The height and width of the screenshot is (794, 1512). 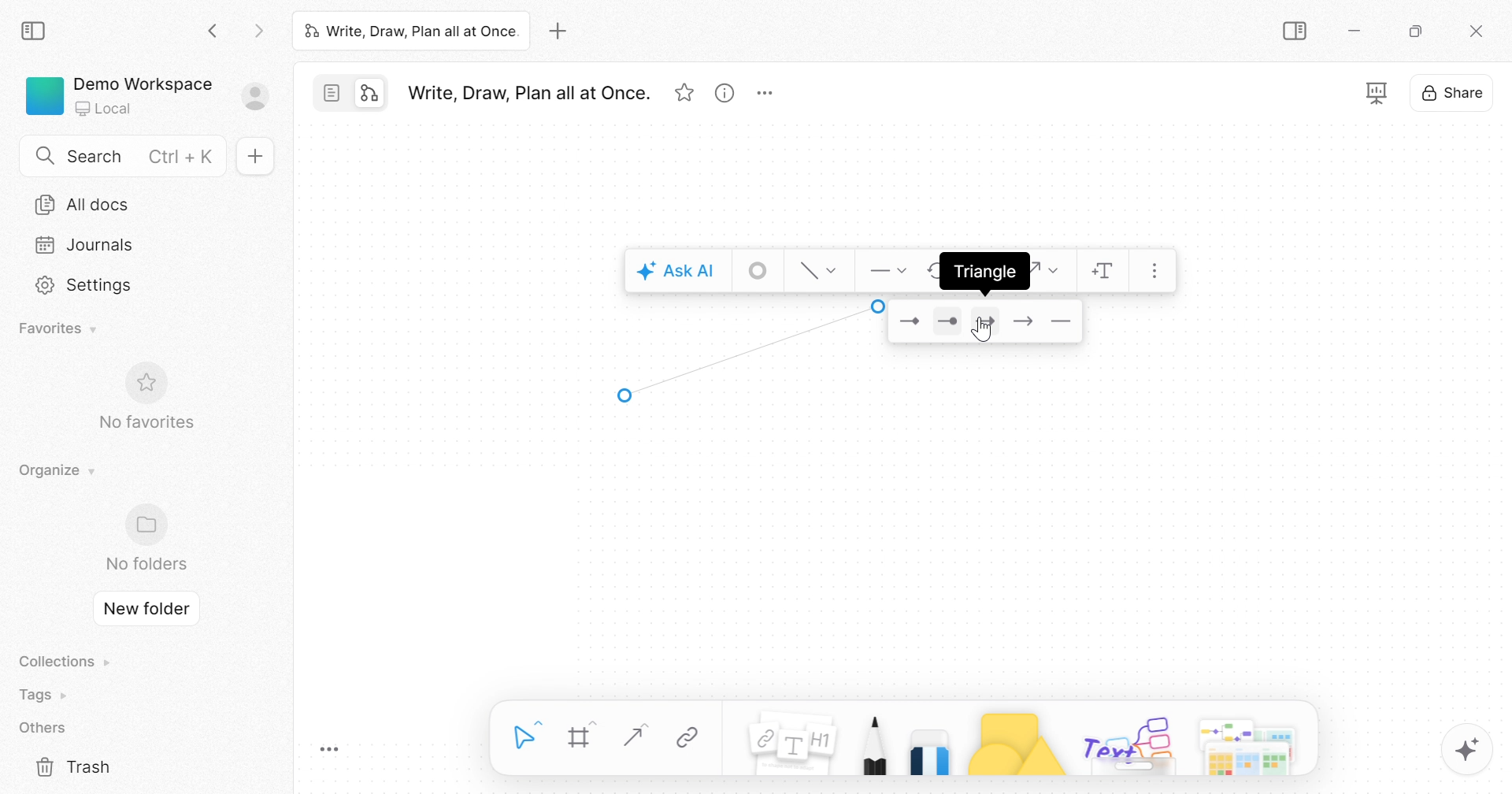 I want to click on Shape, so click(x=1015, y=742).